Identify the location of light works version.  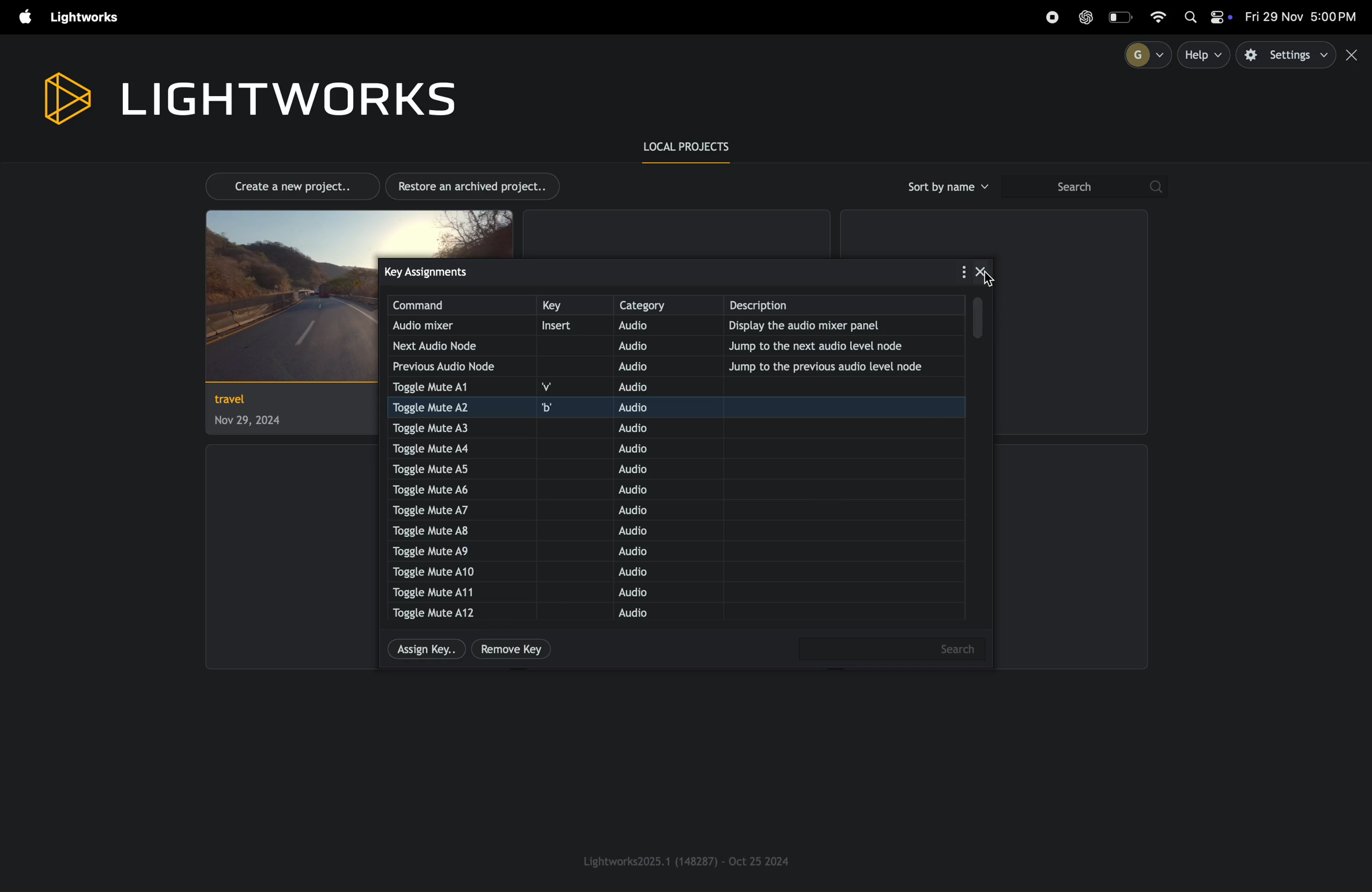
(688, 860).